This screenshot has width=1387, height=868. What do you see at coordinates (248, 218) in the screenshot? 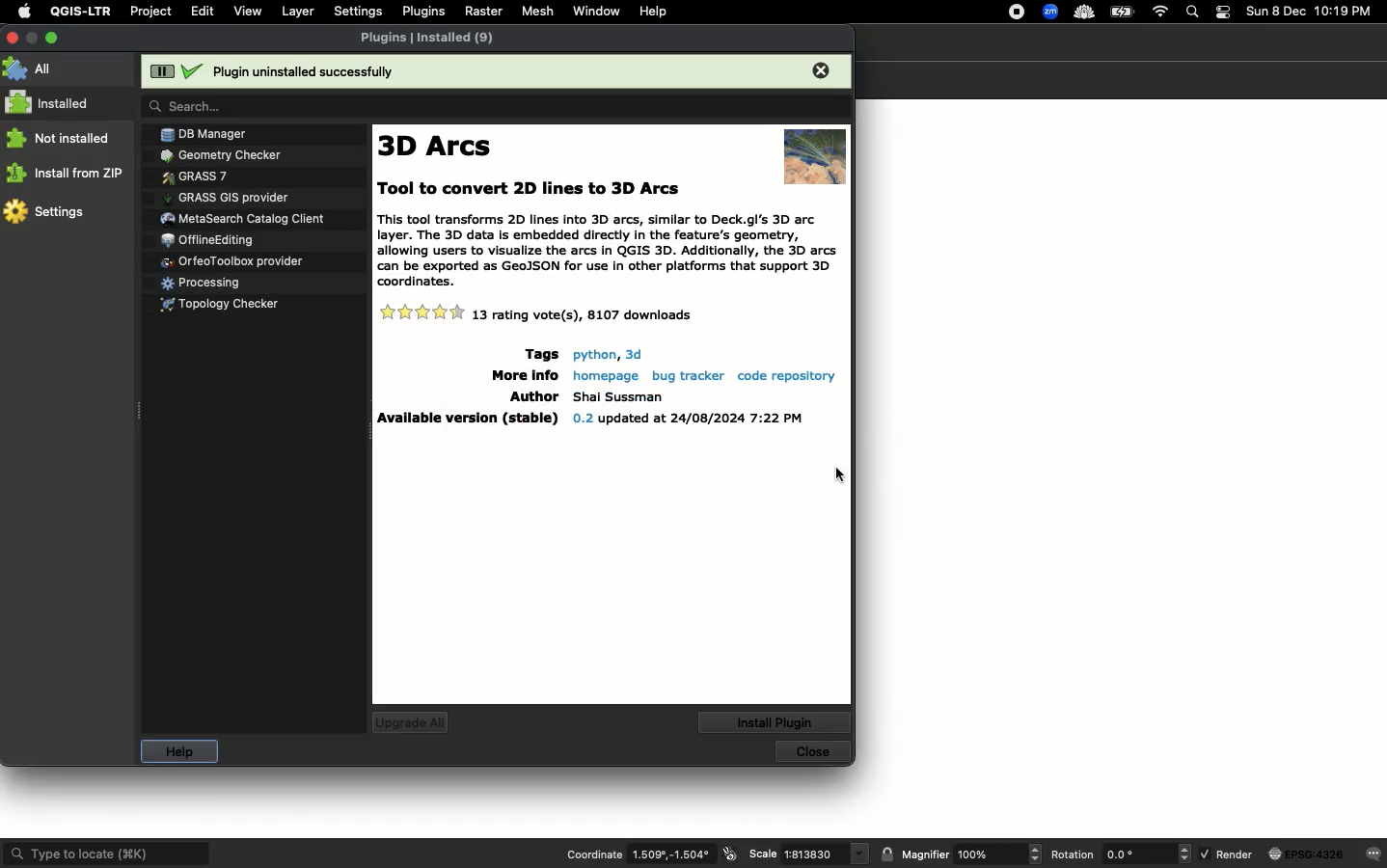
I see `Plugins` at bounding box center [248, 218].